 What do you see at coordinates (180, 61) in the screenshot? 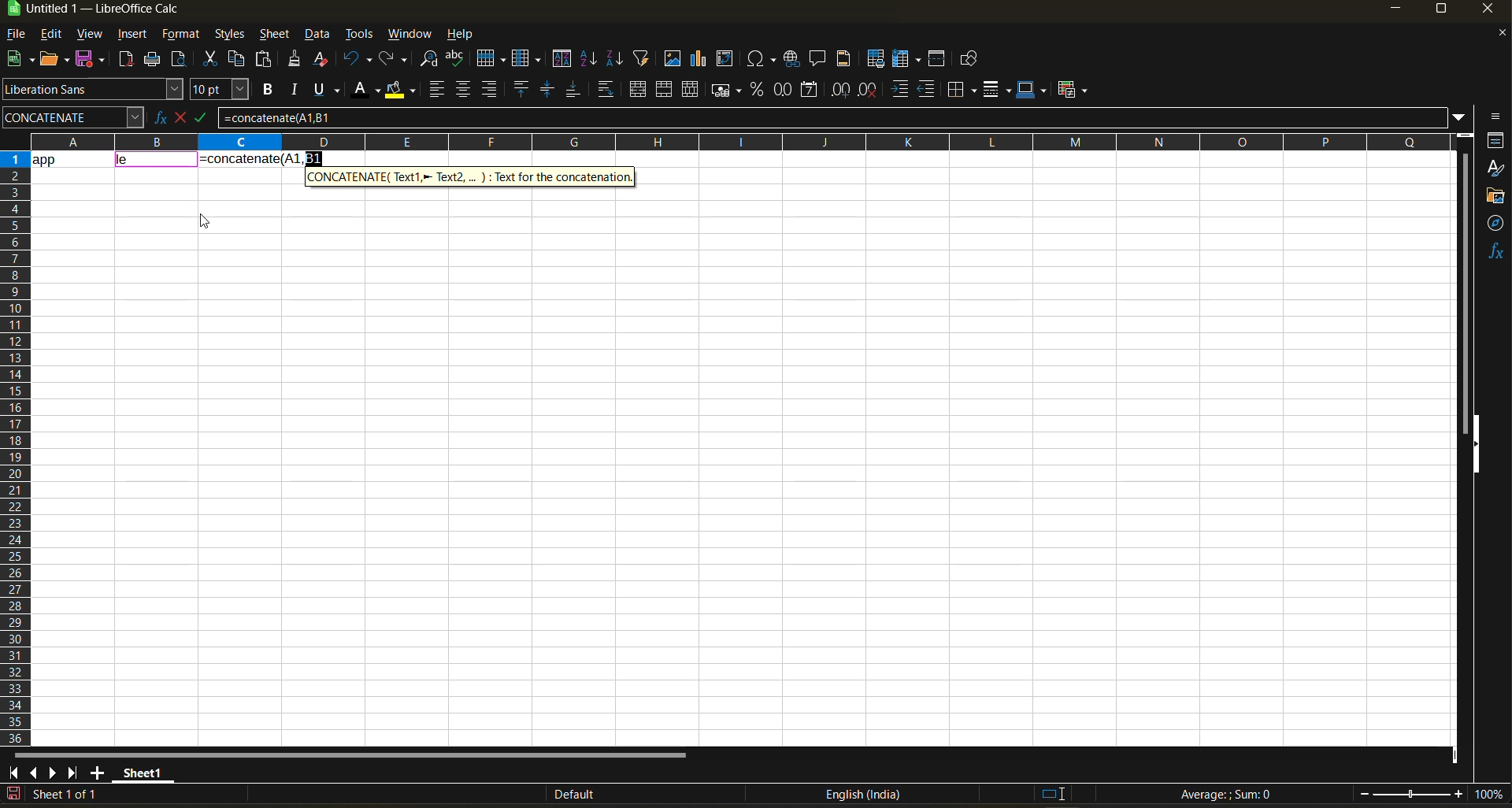
I see `toggle print preview` at bounding box center [180, 61].